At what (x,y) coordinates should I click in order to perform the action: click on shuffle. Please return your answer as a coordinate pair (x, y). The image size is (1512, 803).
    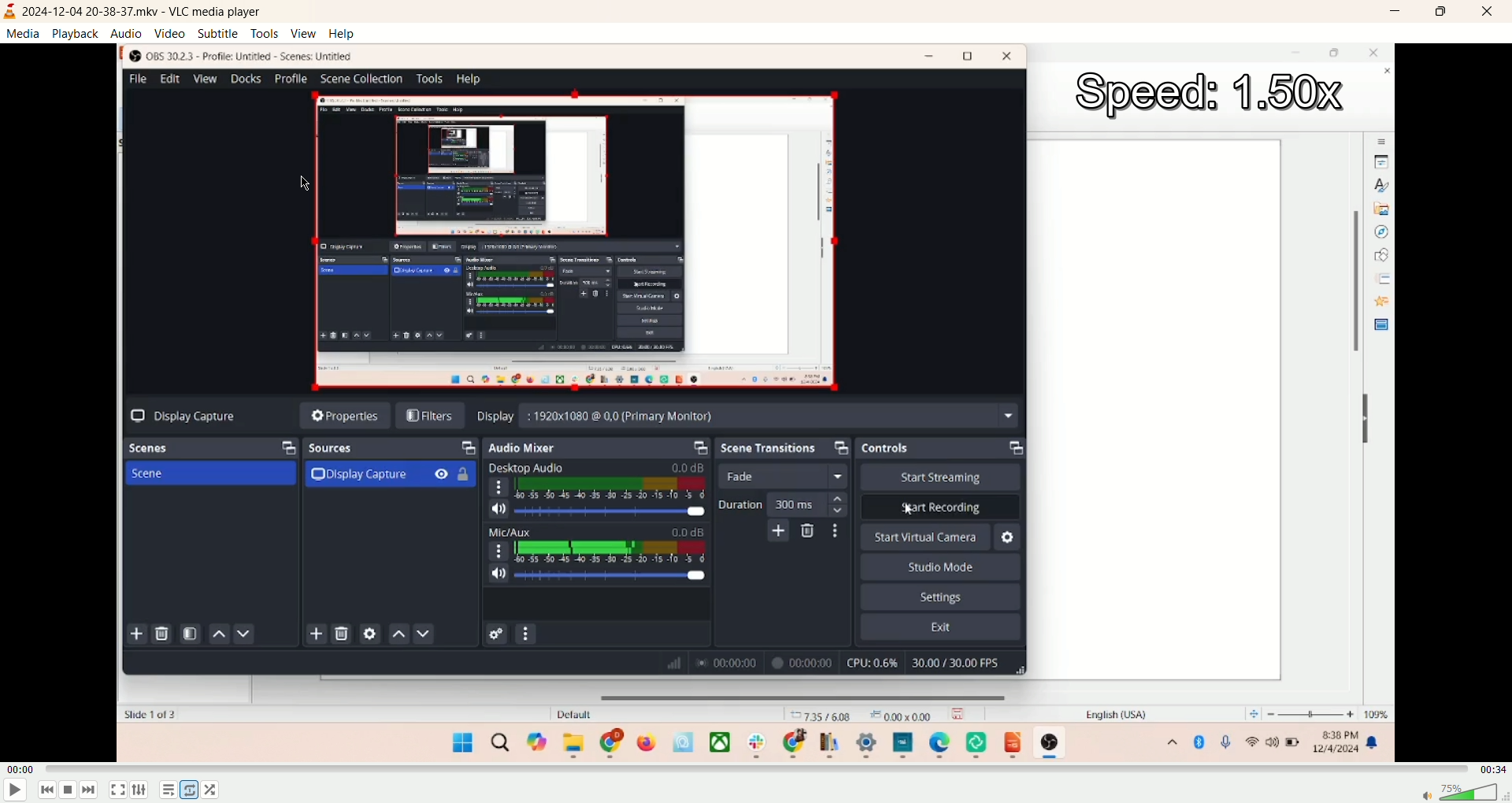
    Looking at the image, I should click on (219, 789).